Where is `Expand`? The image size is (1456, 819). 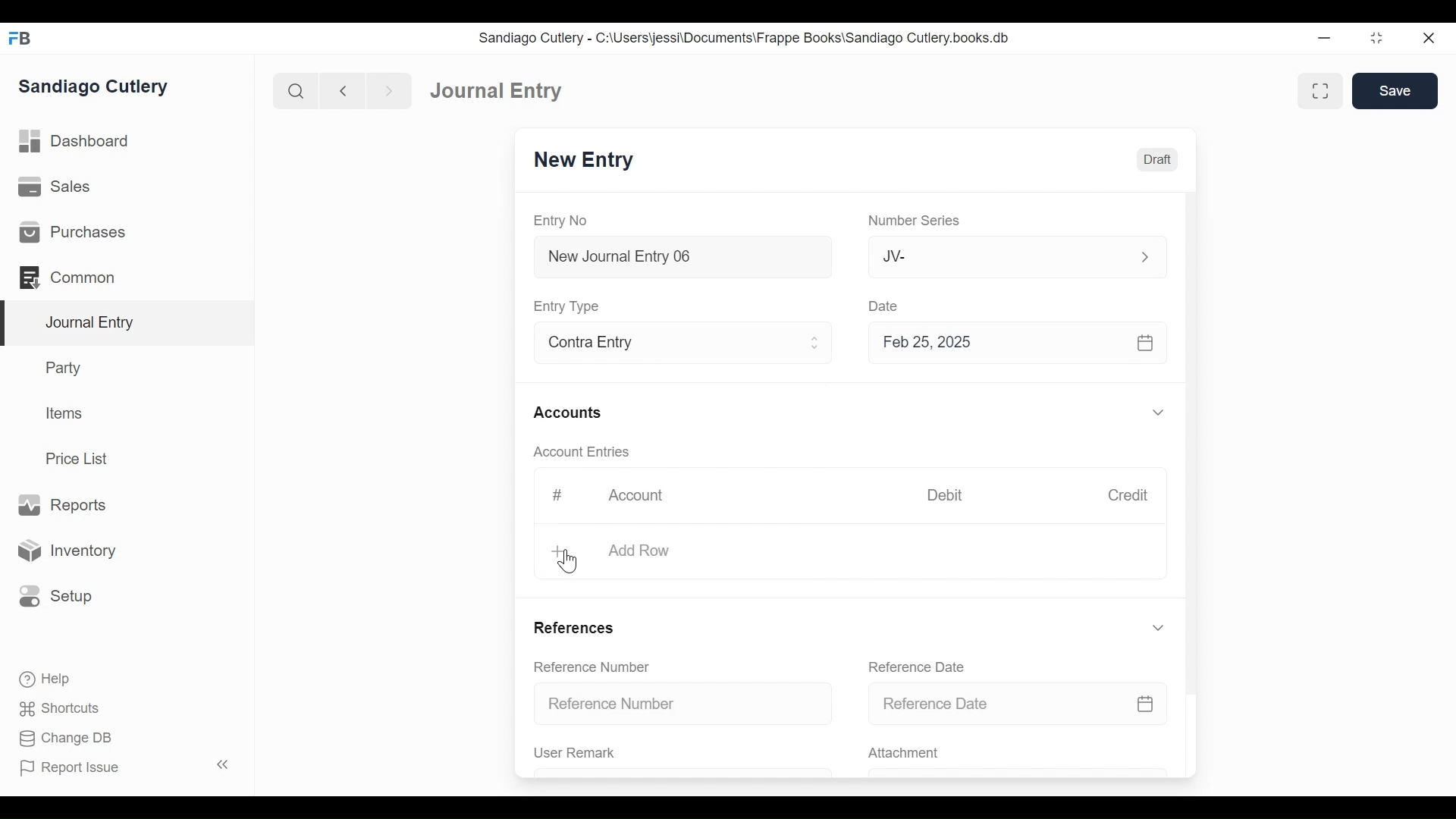
Expand is located at coordinates (1145, 257).